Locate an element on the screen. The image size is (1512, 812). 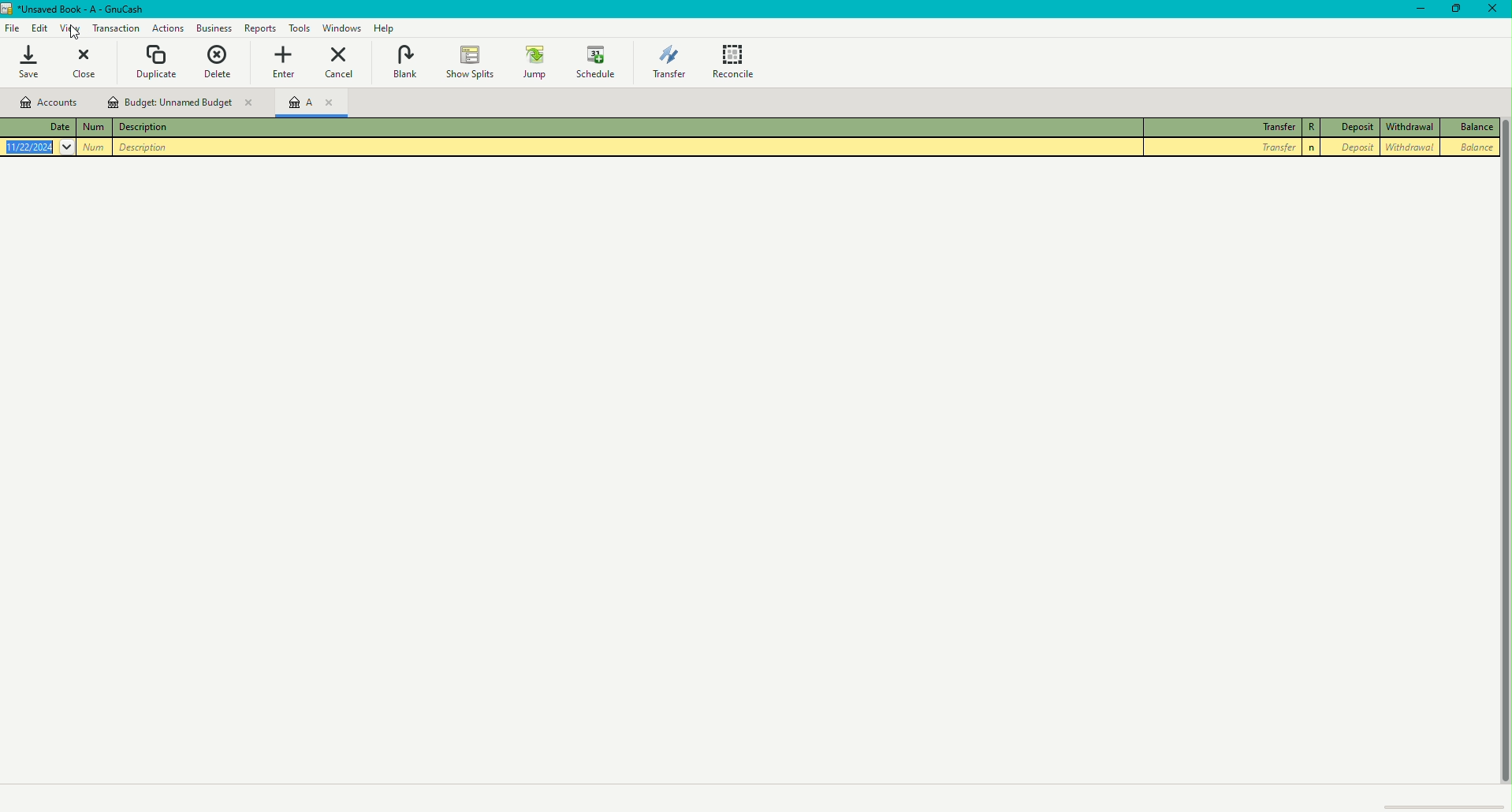
Balance is located at coordinates (1472, 128).